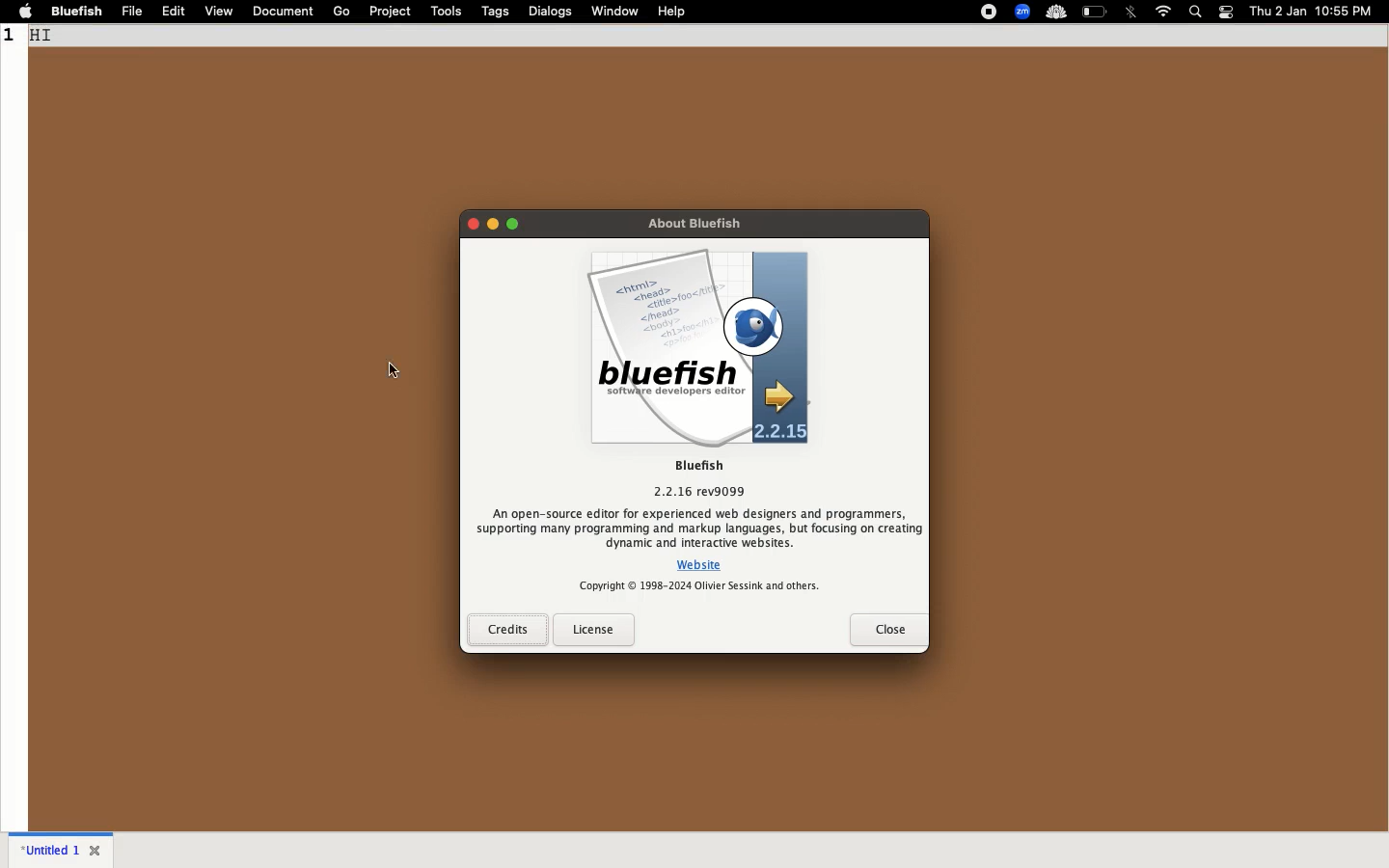 This screenshot has height=868, width=1389. Describe the element at coordinates (694, 223) in the screenshot. I see `about bluefish` at that location.